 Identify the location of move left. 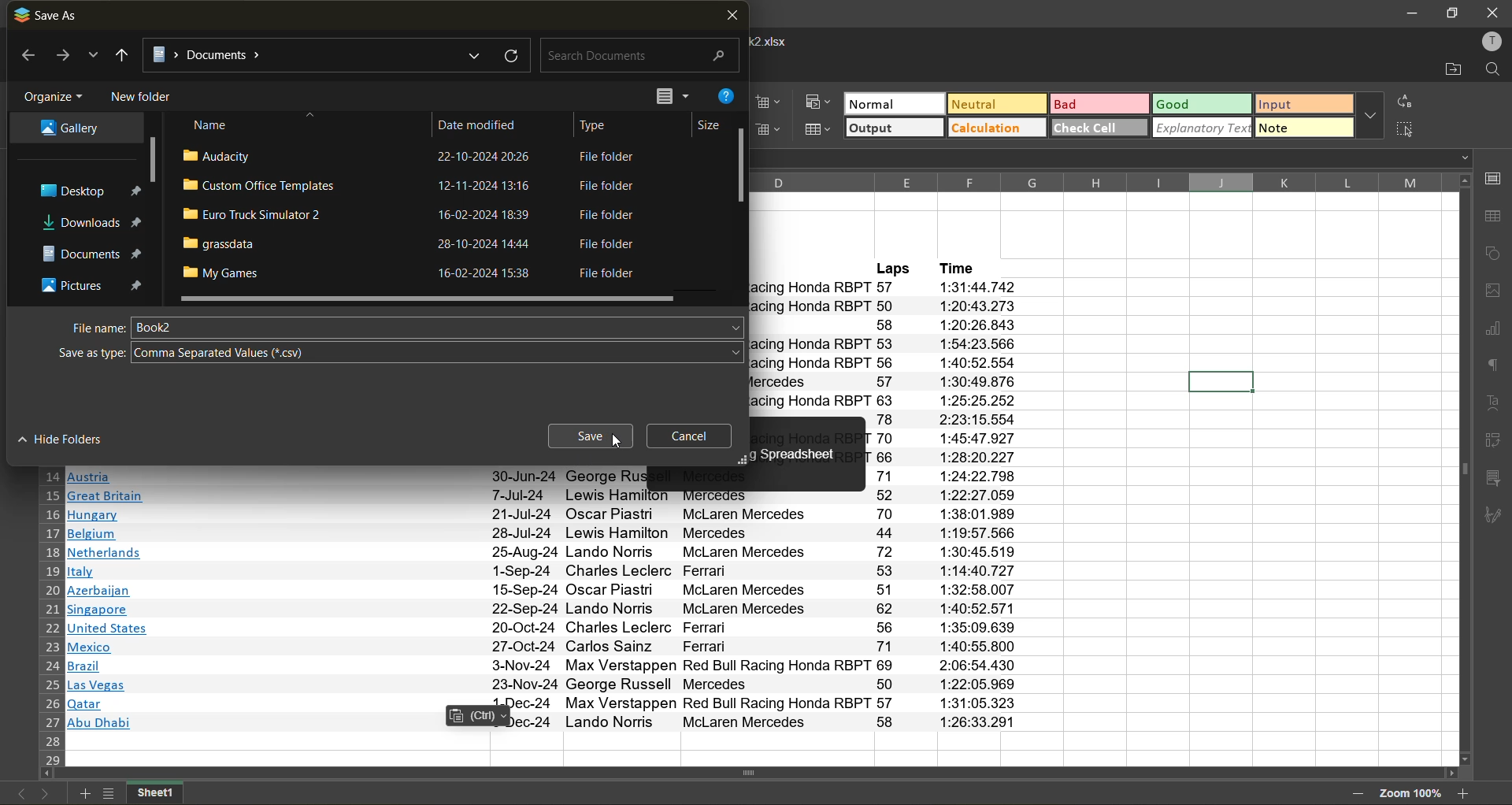
(47, 775).